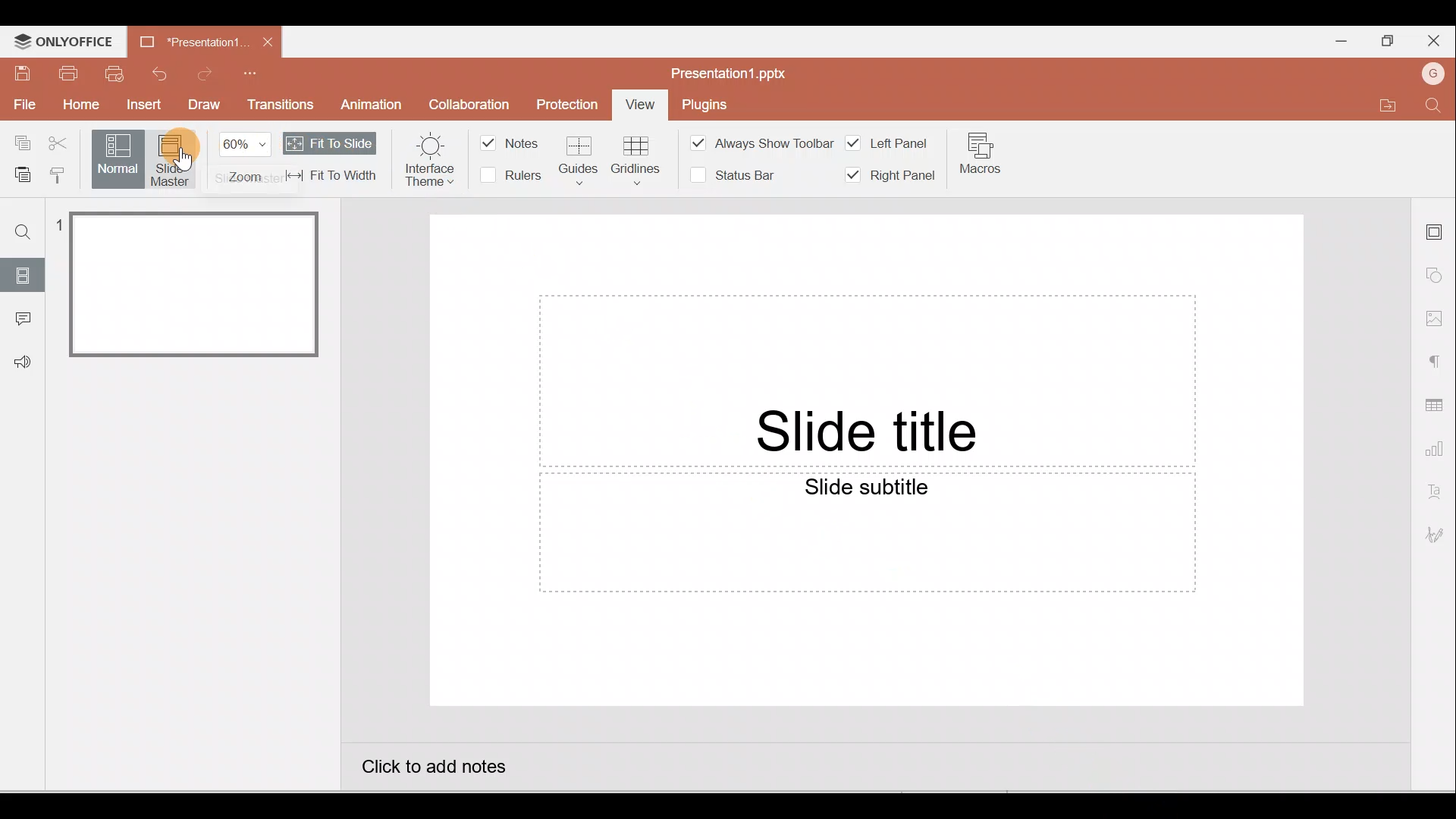  What do you see at coordinates (18, 172) in the screenshot?
I see `Paste` at bounding box center [18, 172].